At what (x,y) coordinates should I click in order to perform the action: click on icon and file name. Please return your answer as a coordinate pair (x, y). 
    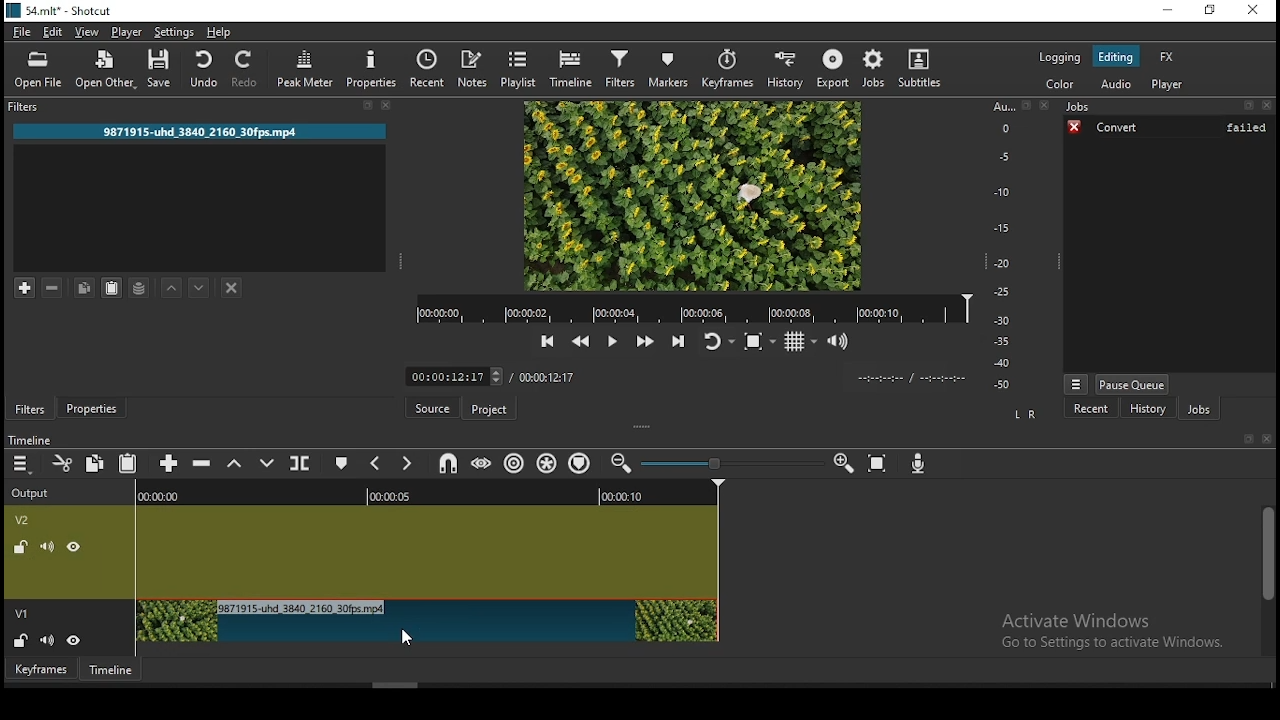
    Looking at the image, I should click on (63, 10).